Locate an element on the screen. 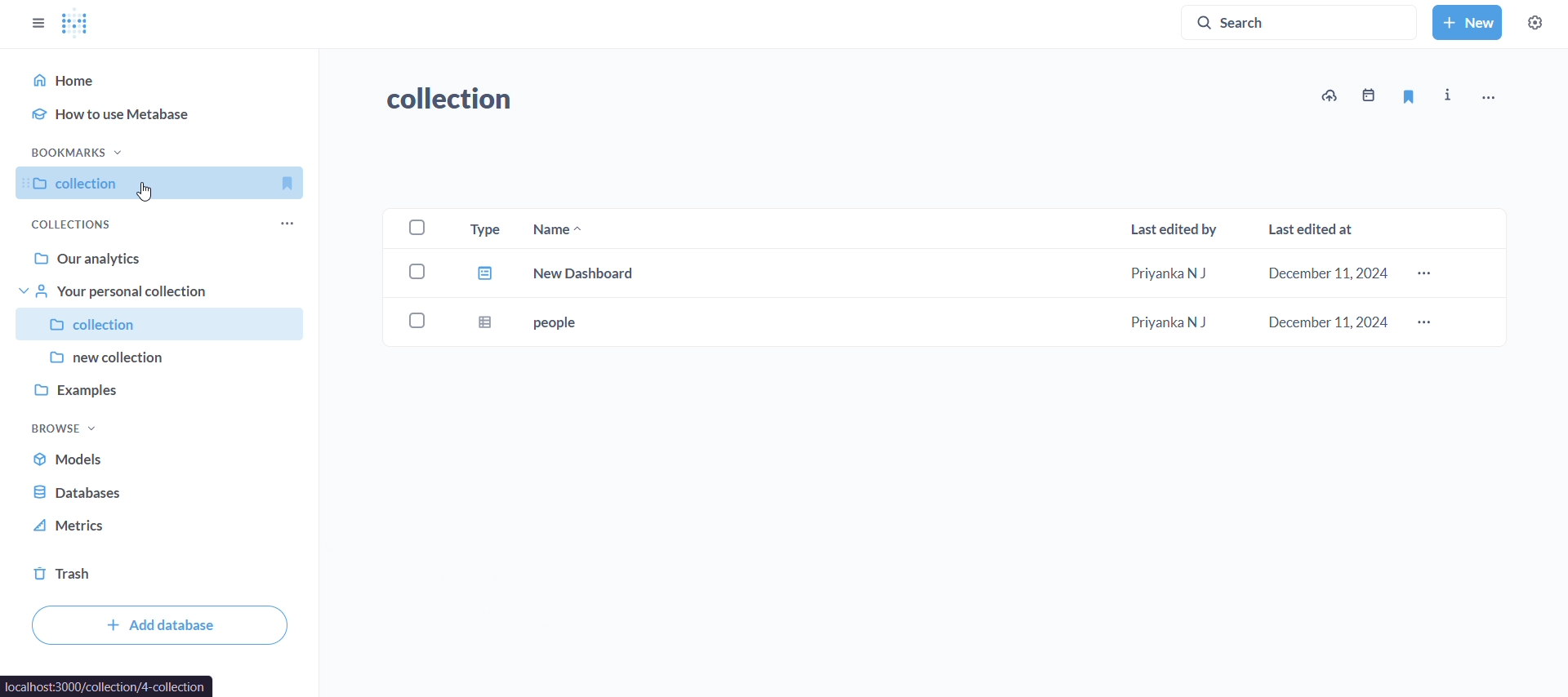 This screenshot has height=697, width=1568. new dashboard is located at coordinates (621, 270).